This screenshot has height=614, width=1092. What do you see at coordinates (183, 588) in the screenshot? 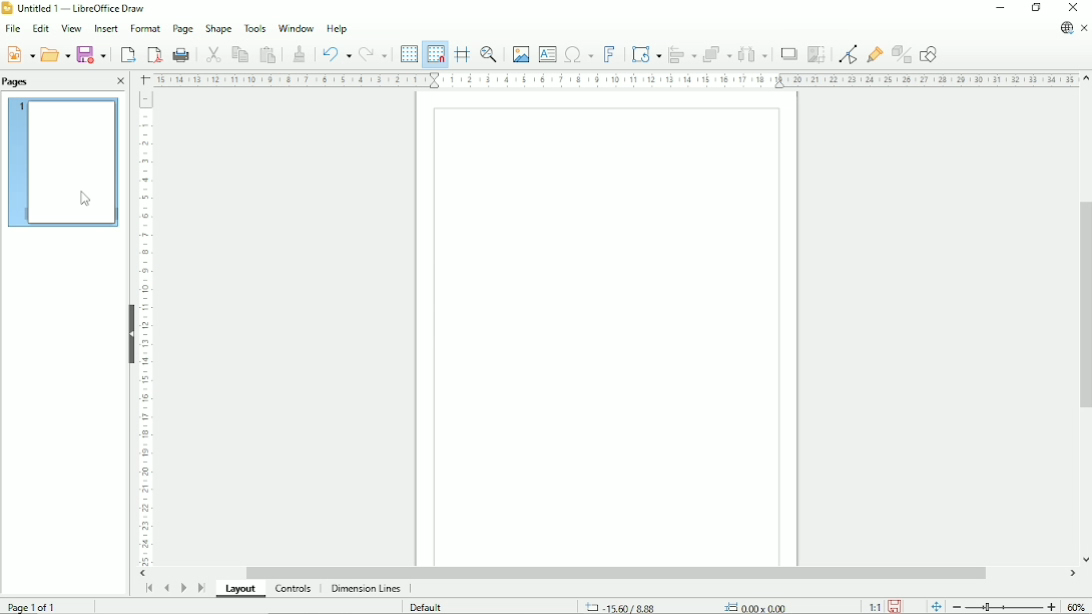
I see `Scroll to next page` at bounding box center [183, 588].